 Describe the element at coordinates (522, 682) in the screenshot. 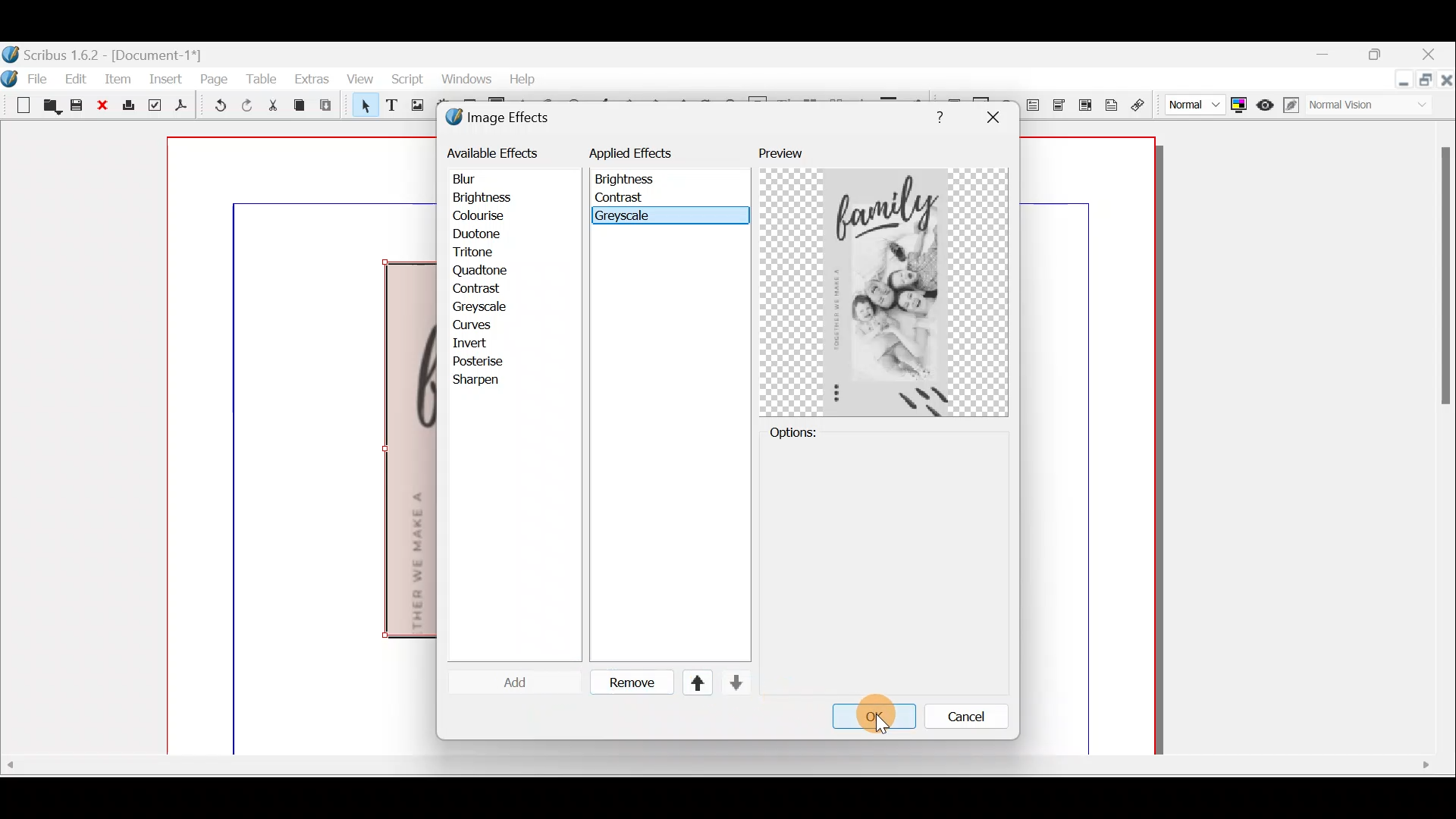

I see `apply` at that location.